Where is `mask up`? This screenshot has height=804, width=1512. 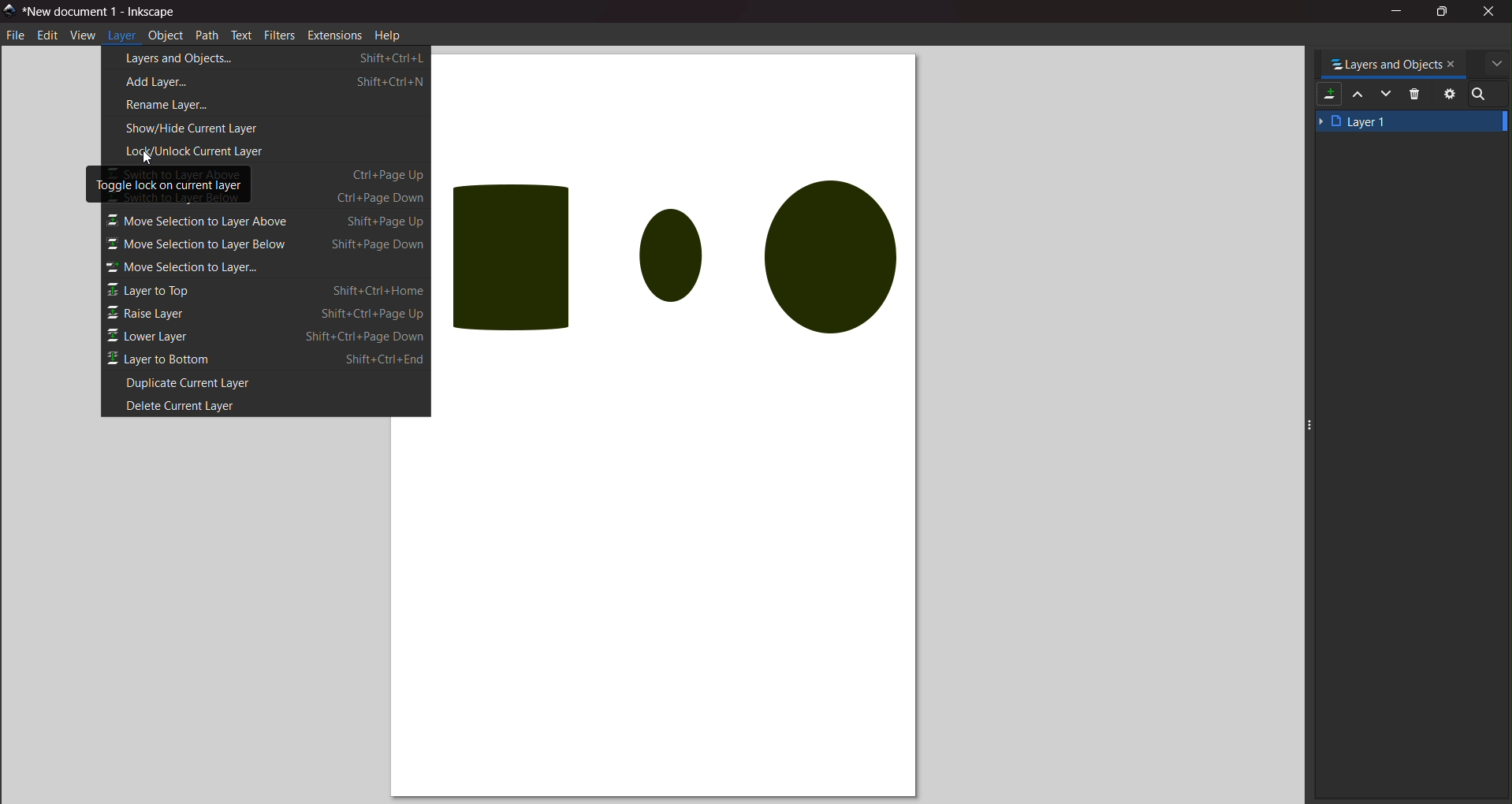 mask up is located at coordinates (1358, 95).